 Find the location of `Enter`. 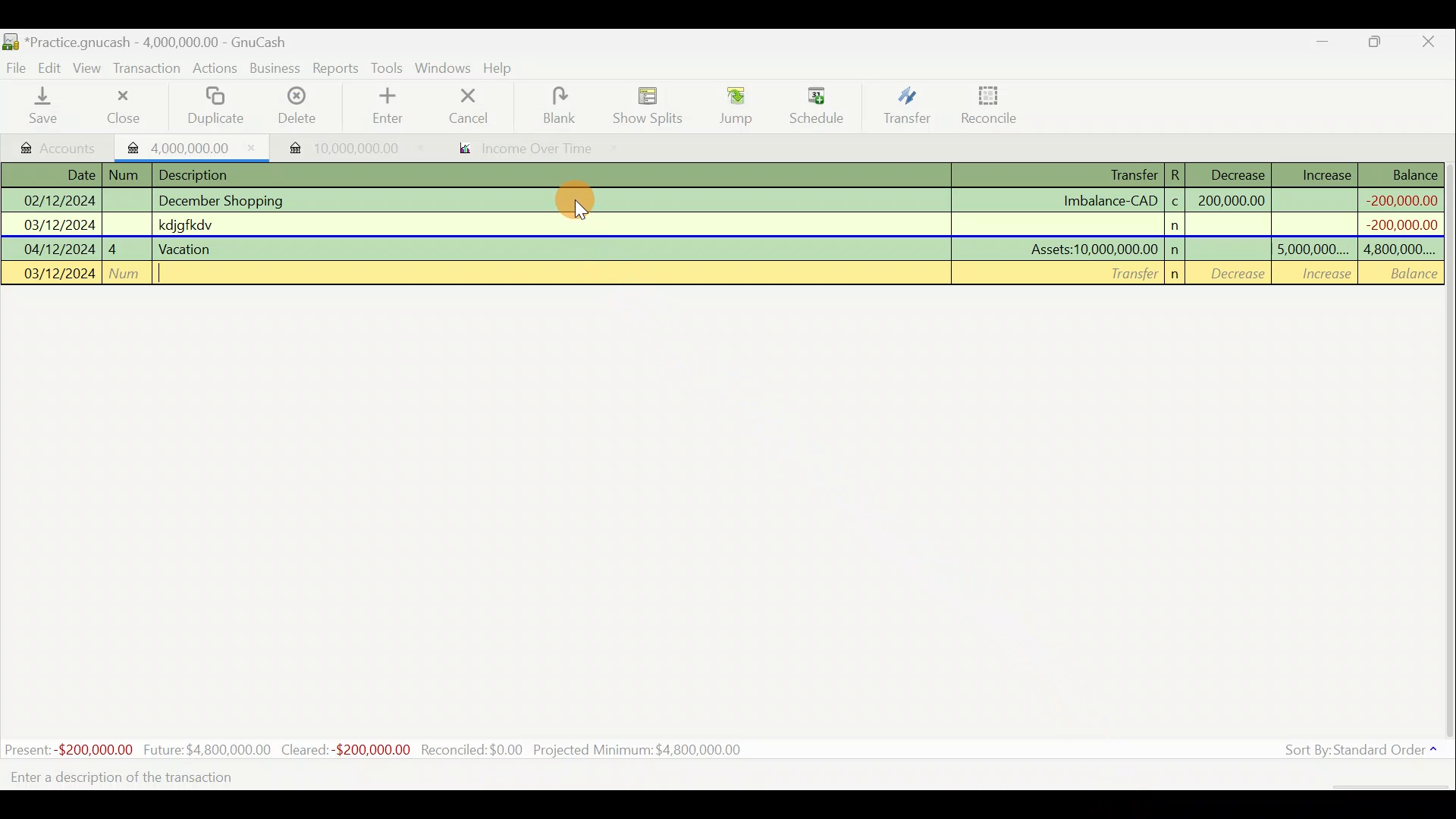

Enter is located at coordinates (386, 106).